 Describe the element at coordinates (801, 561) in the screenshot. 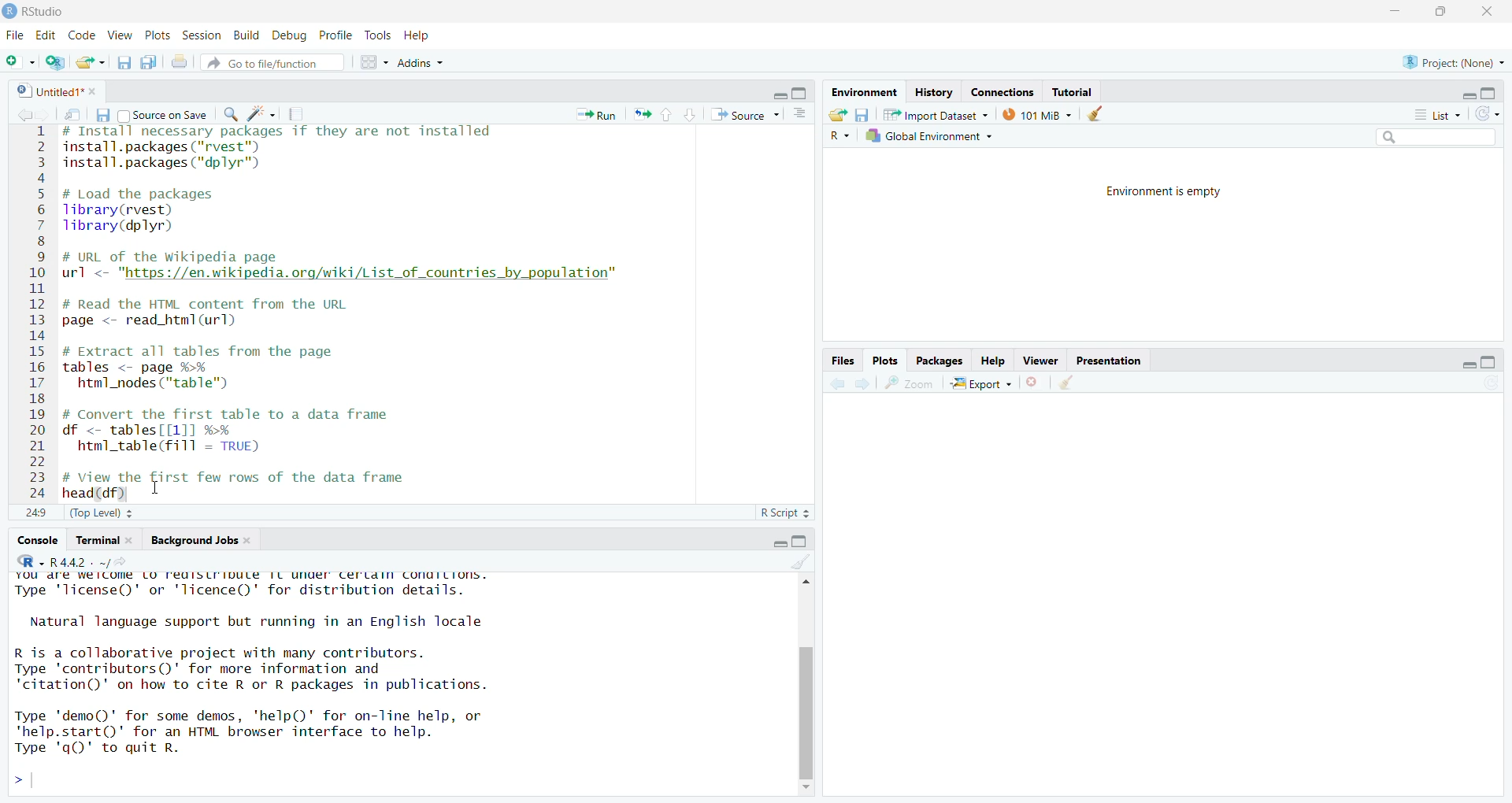

I see `clear` at that location.